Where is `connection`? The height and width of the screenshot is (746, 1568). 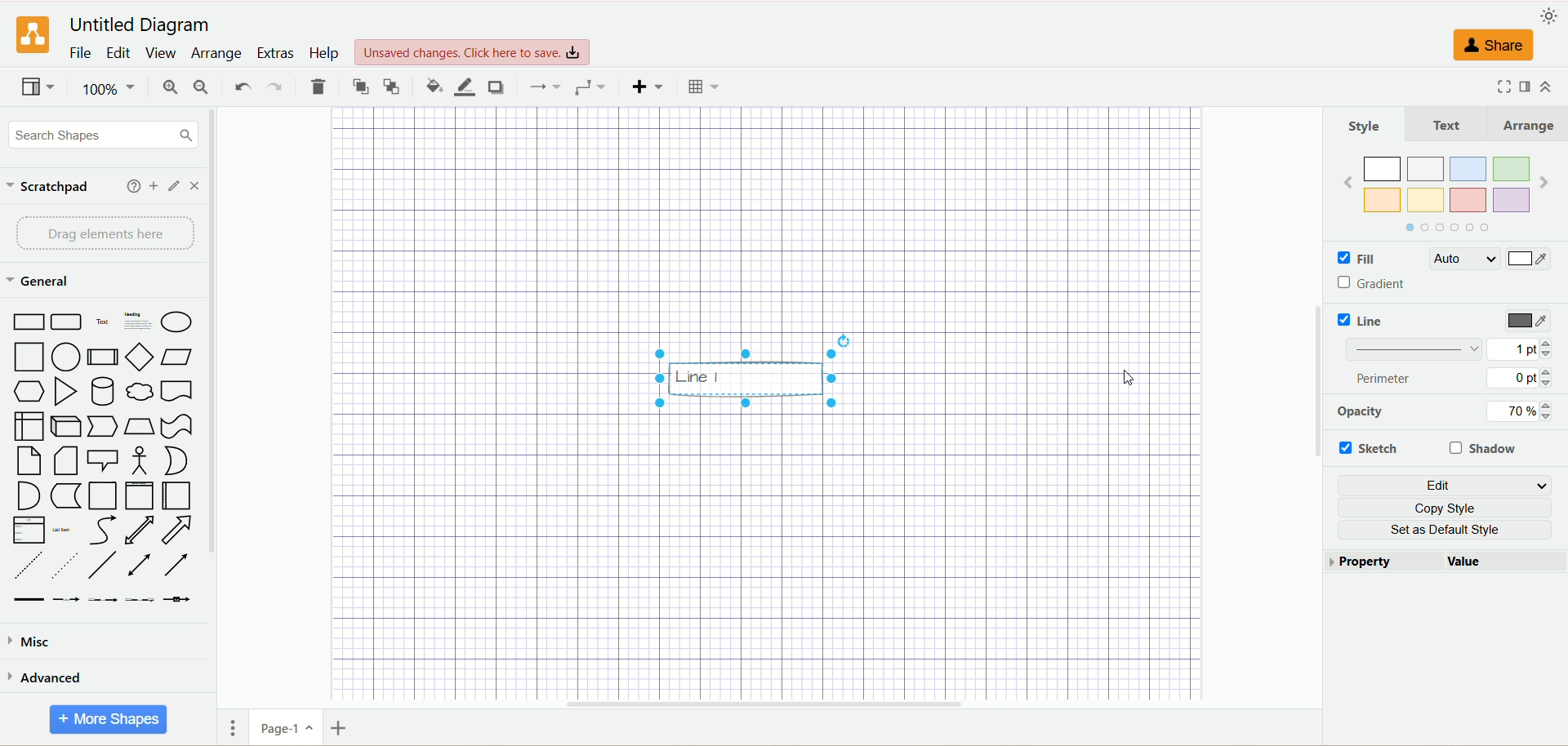 connection is located at coordinates (542, 85).